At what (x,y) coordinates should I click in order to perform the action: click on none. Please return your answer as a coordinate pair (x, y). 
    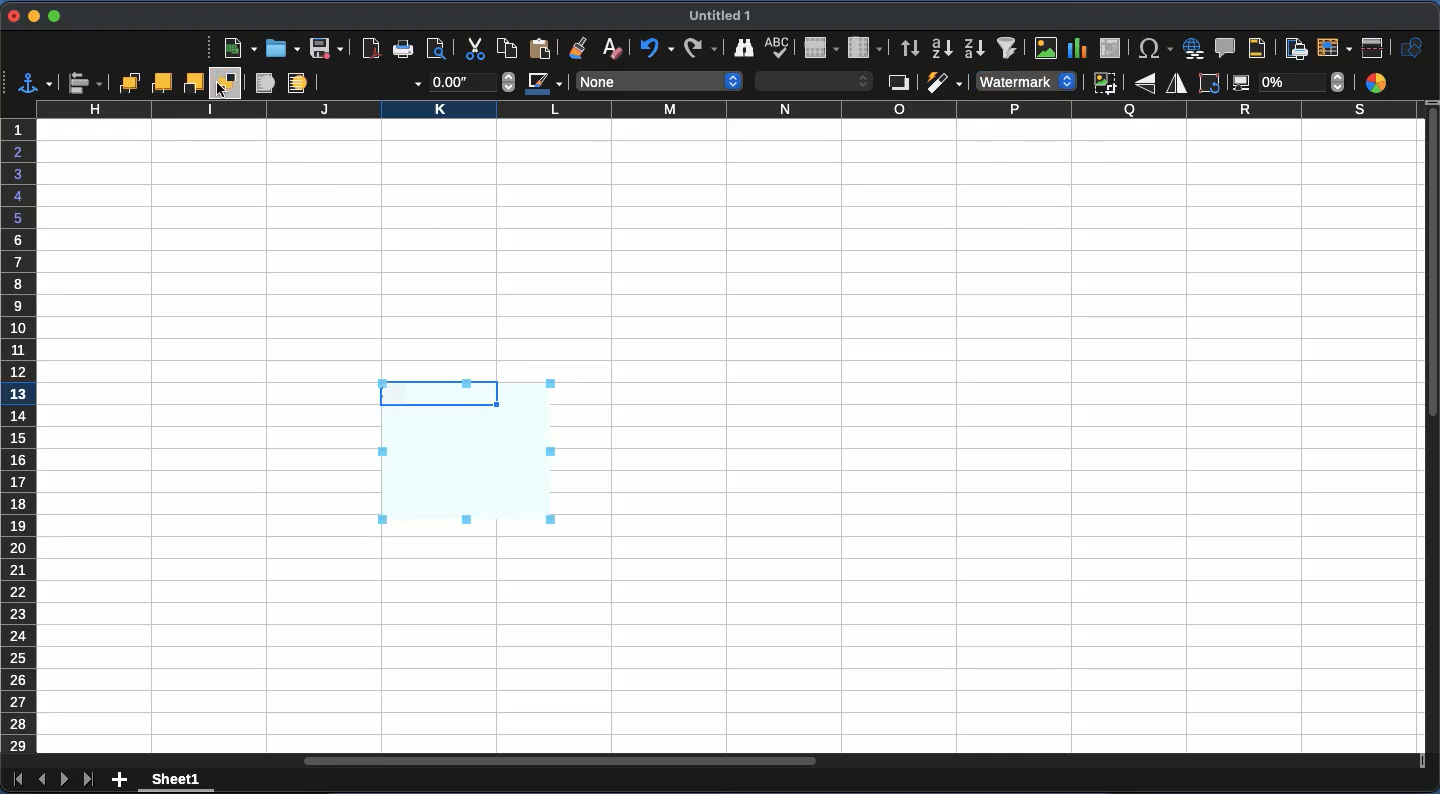
    Looking at the image, I should click on (659, 81).